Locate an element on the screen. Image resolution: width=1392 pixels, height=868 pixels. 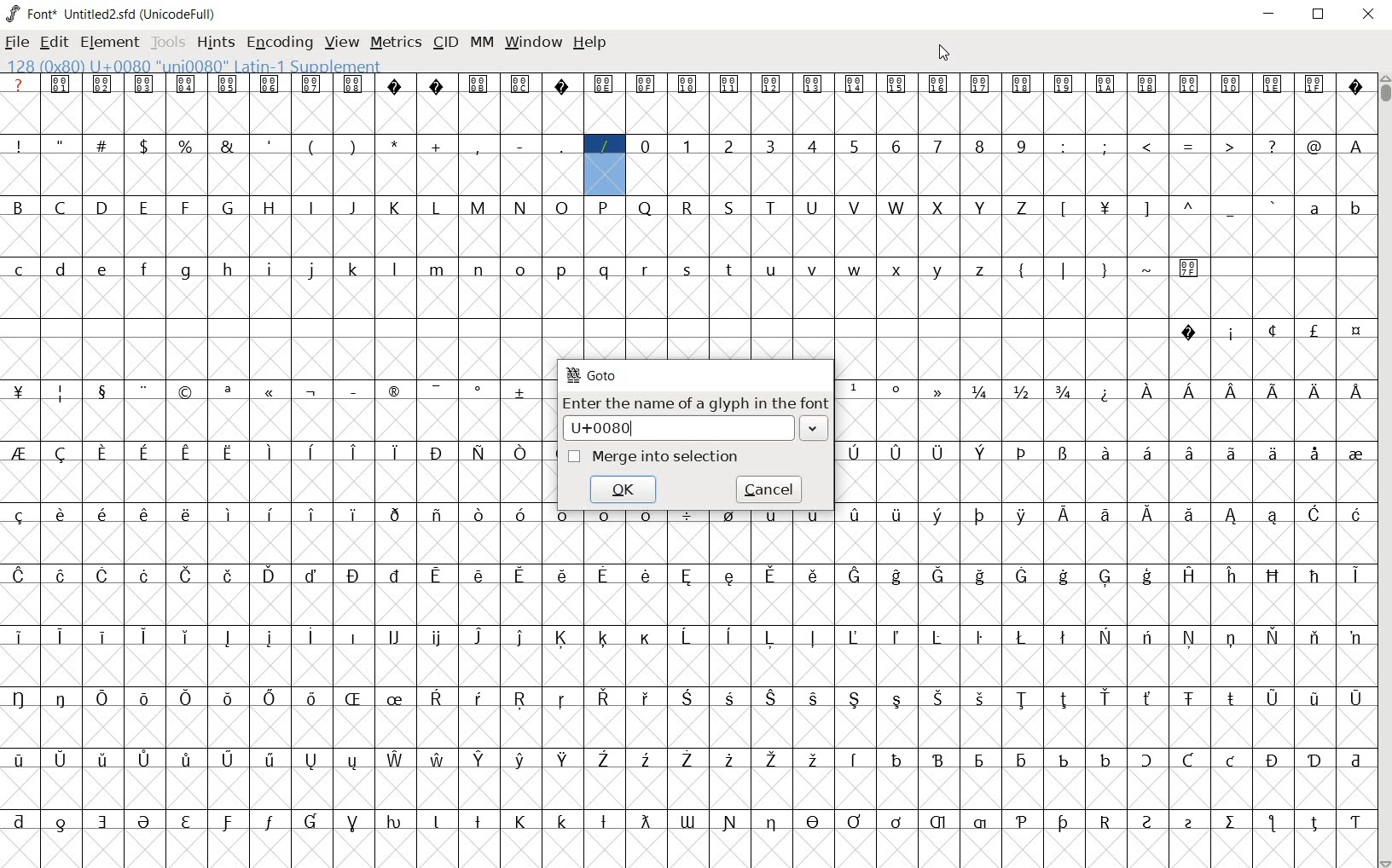
glyph is located at coordinates (604, 207).